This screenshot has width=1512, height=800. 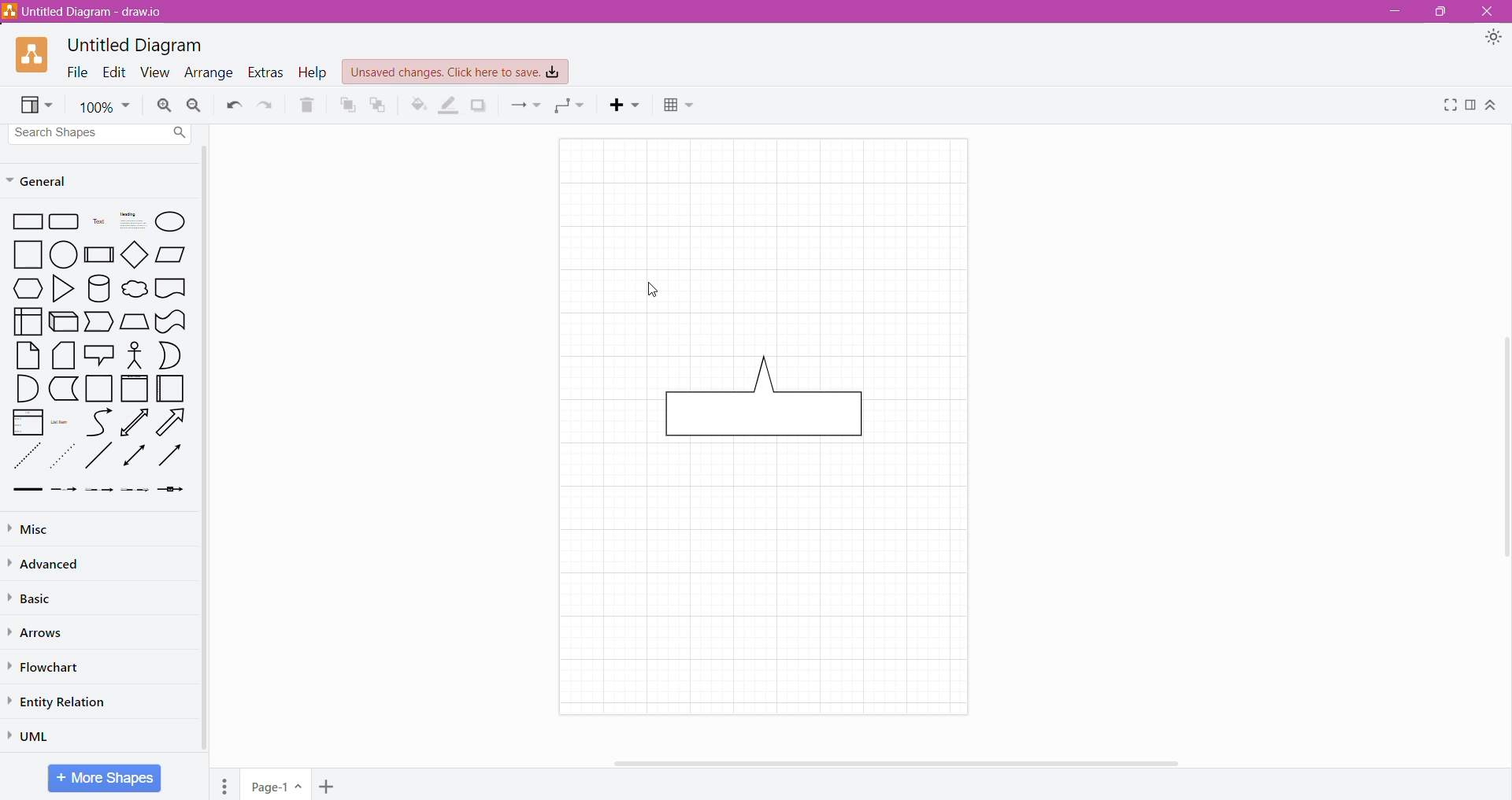 I want to click on General, so click(x=47, y=180).